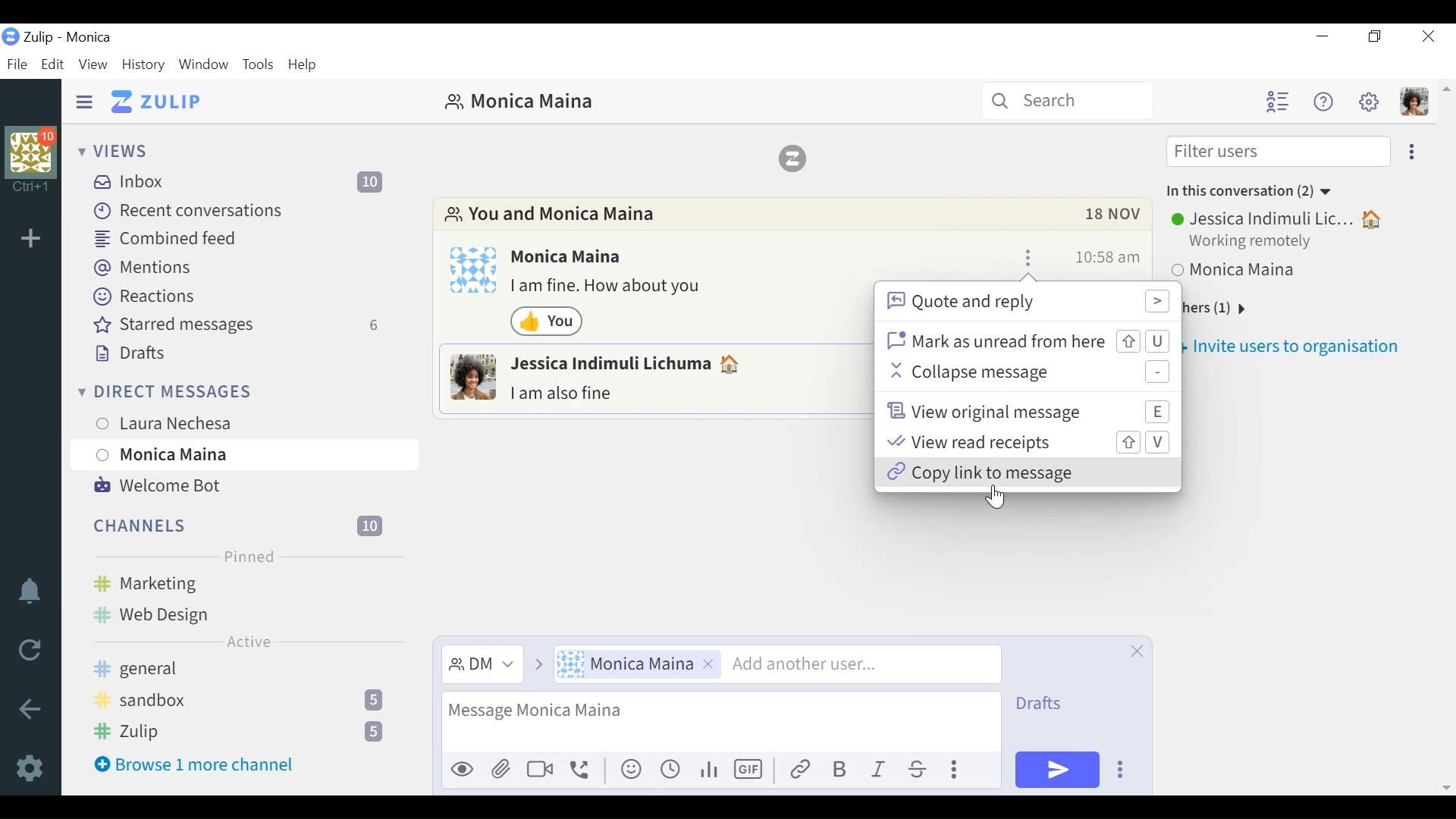 The width and height of the screenshot is (1456, 819). I want to click on Add Organization, so click(30, 240).